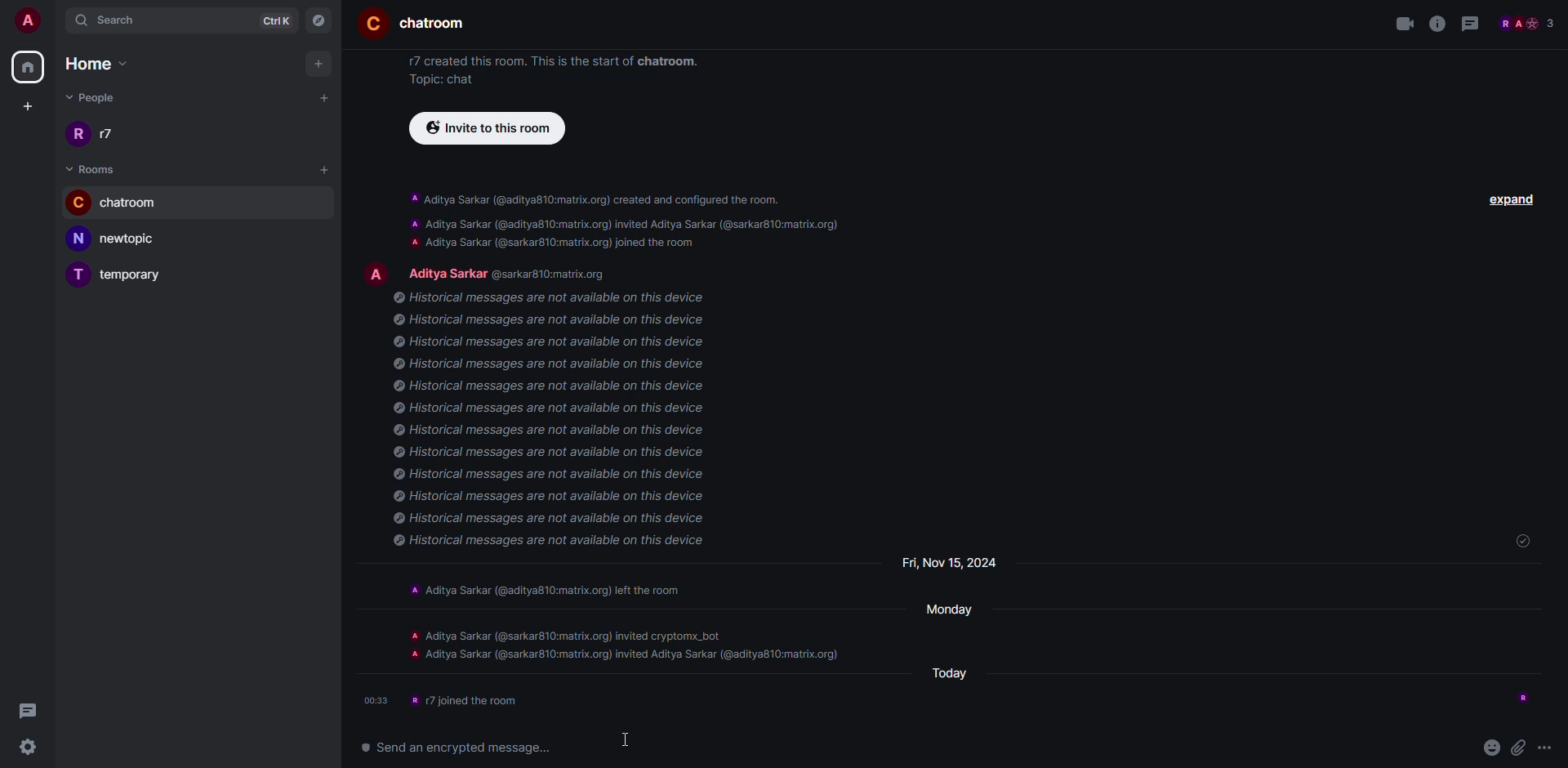 The image size is (1568, 768). I want to click on expand, so click(1510, 201).